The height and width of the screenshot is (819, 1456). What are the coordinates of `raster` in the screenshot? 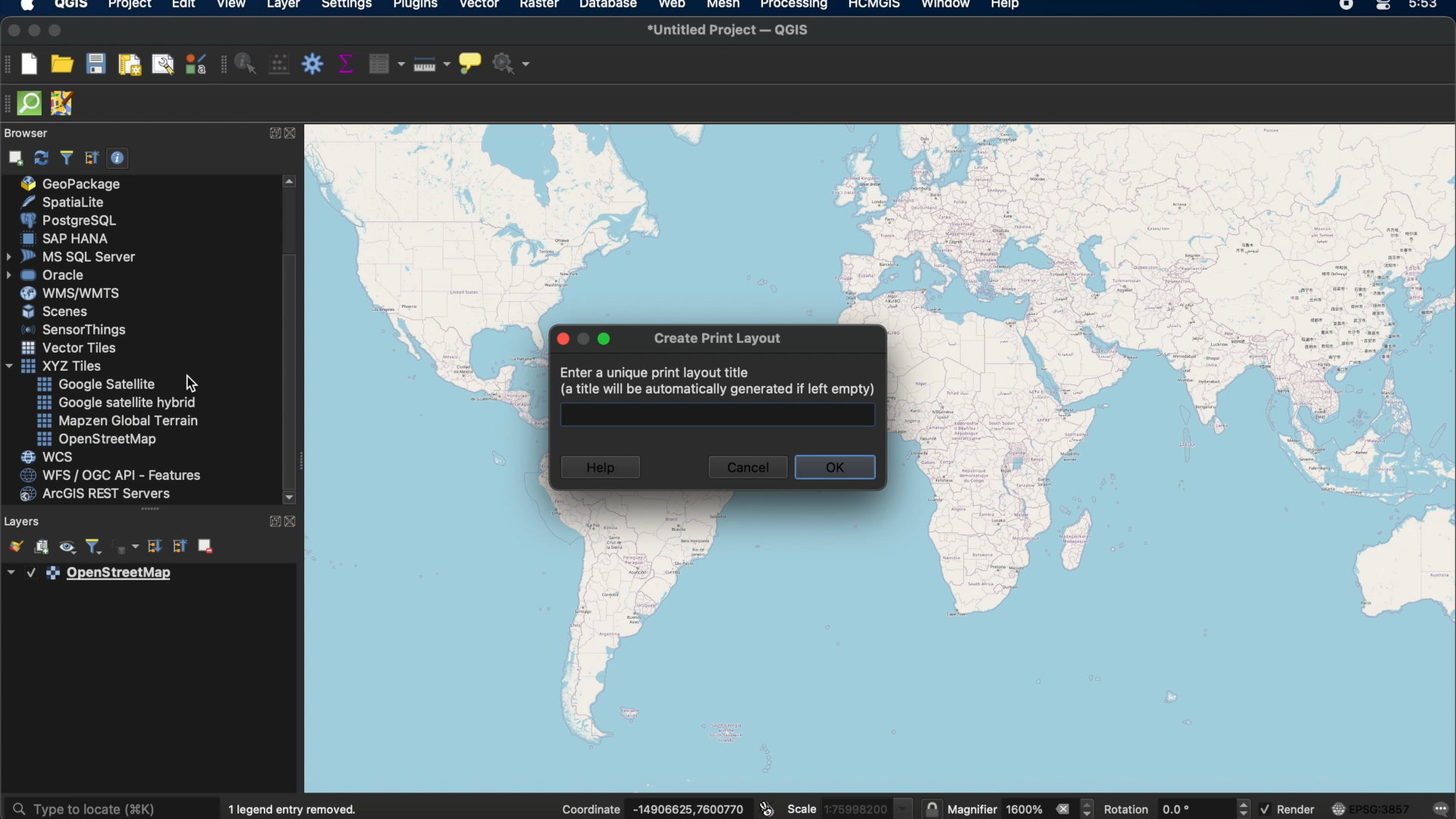 It's located at (538, 6).